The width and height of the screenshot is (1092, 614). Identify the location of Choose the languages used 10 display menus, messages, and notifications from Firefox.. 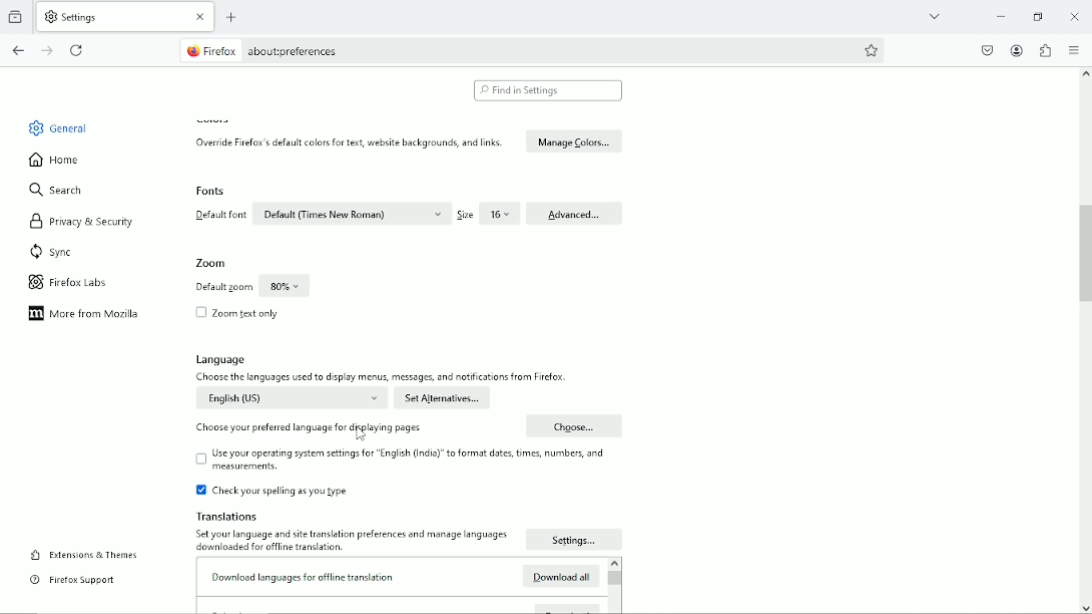
(383, 378).